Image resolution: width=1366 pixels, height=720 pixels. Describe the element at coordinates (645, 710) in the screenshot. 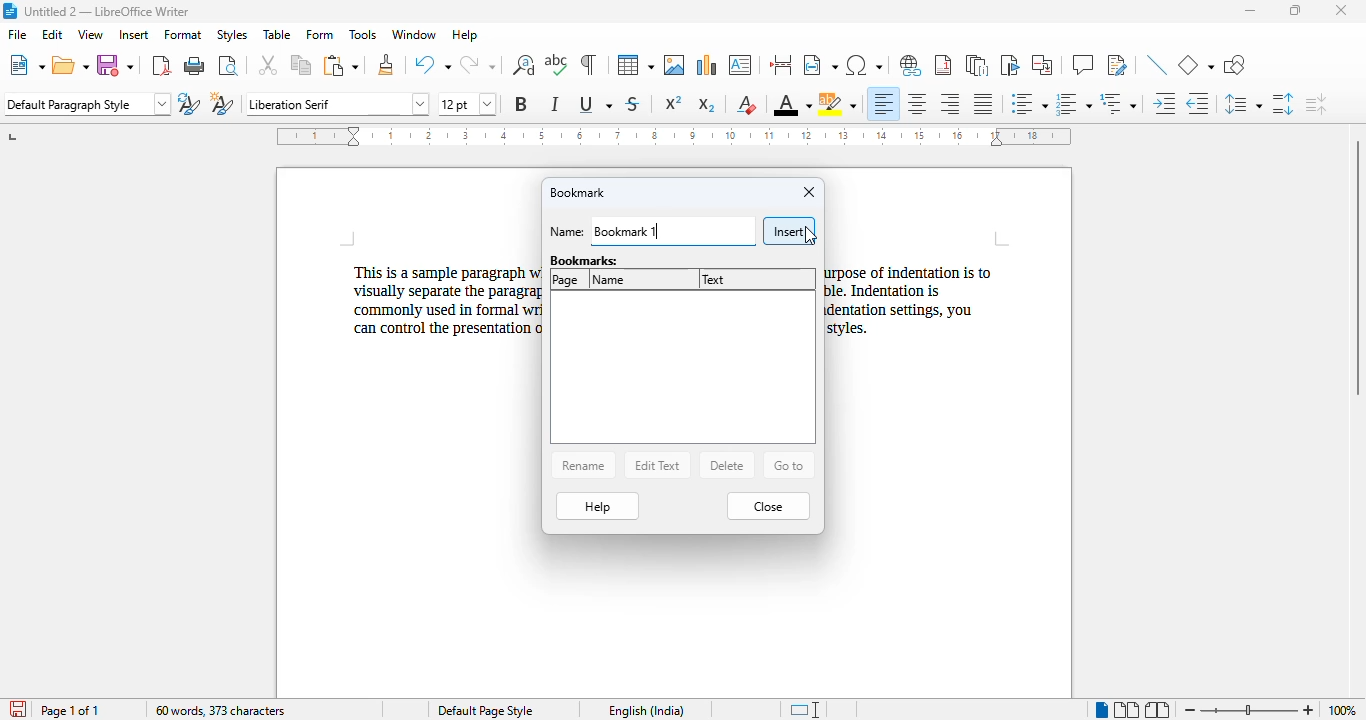

I see `text language` at that location.